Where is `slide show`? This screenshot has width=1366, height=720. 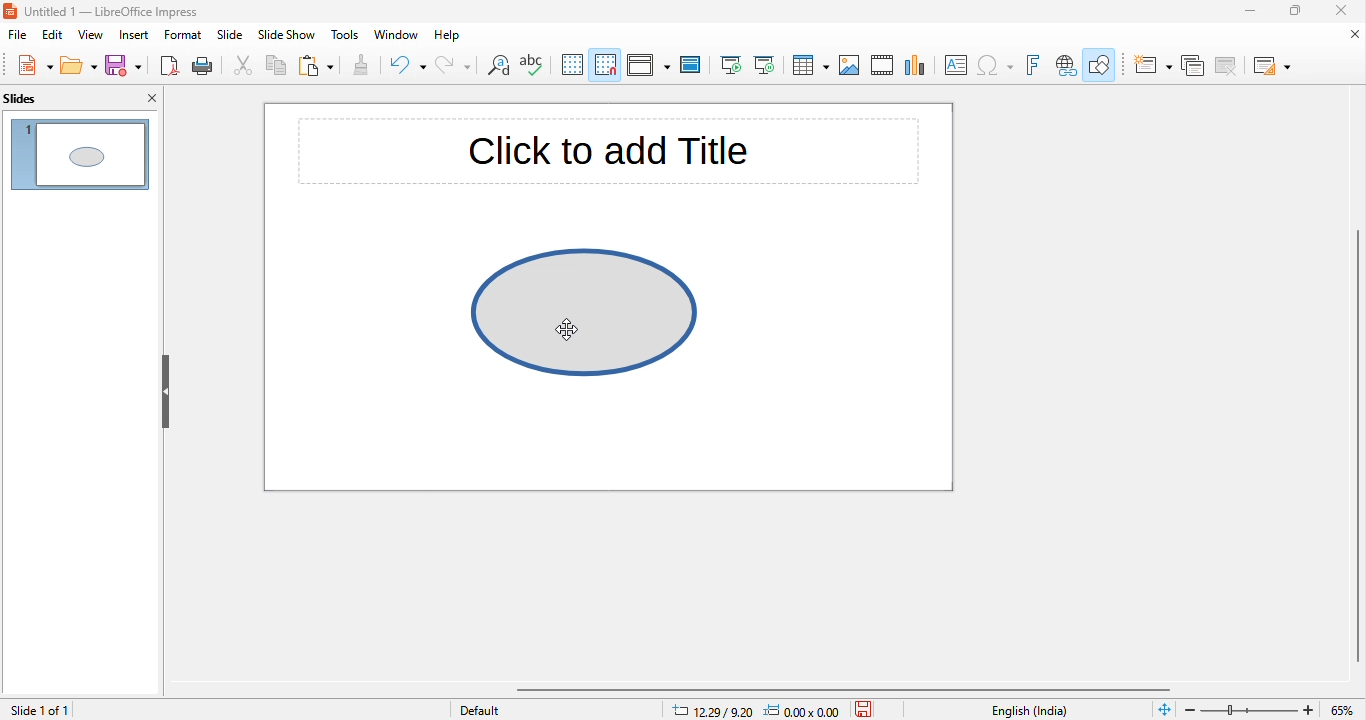
slide show is located at coordinates (287, 37).